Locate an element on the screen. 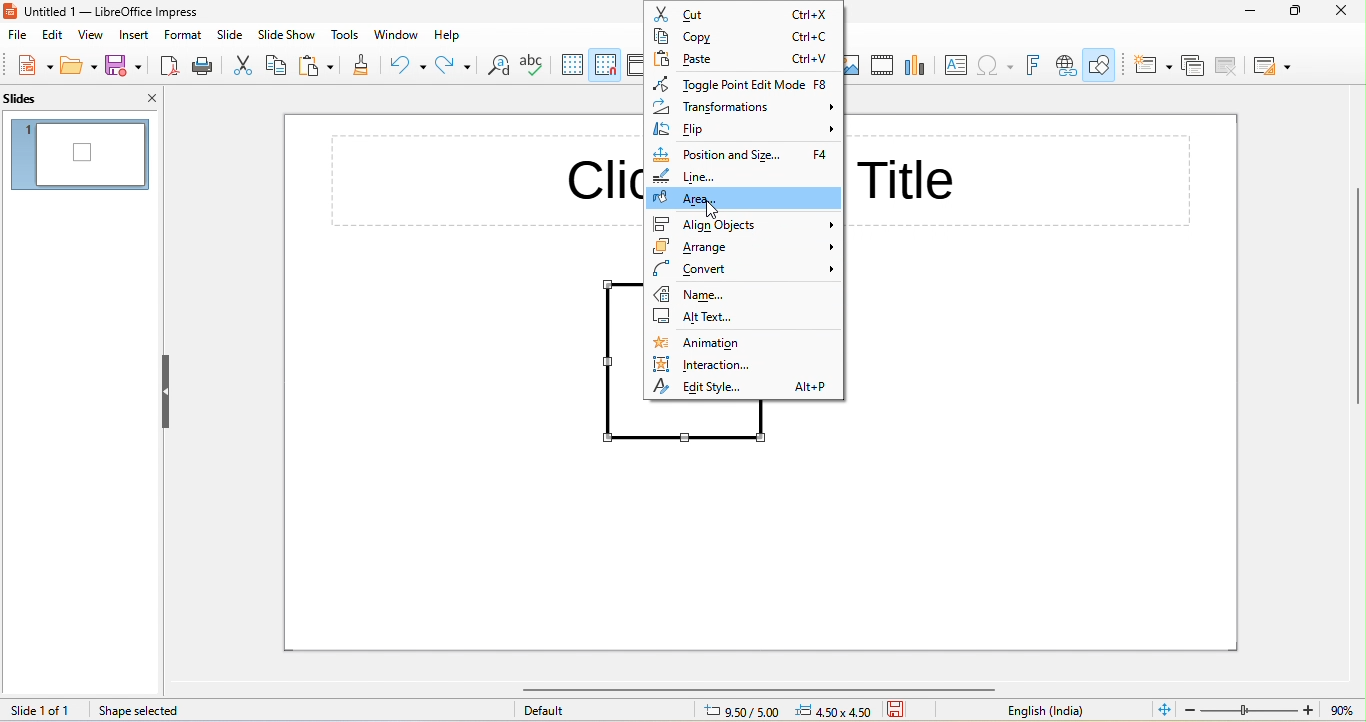  convert is located at coordinates (745, 271).